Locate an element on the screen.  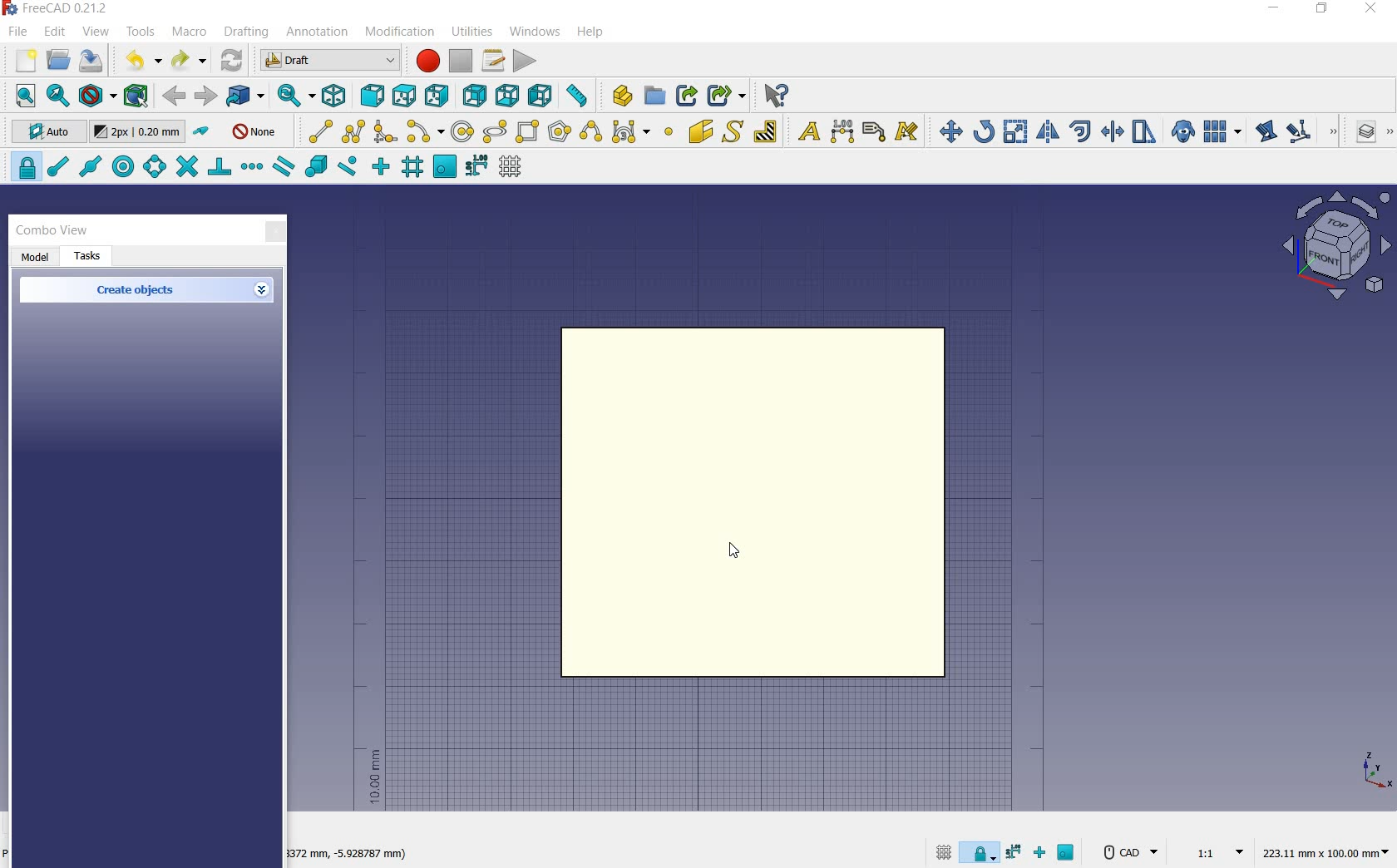
combo view is located at coordinates (52, 230).